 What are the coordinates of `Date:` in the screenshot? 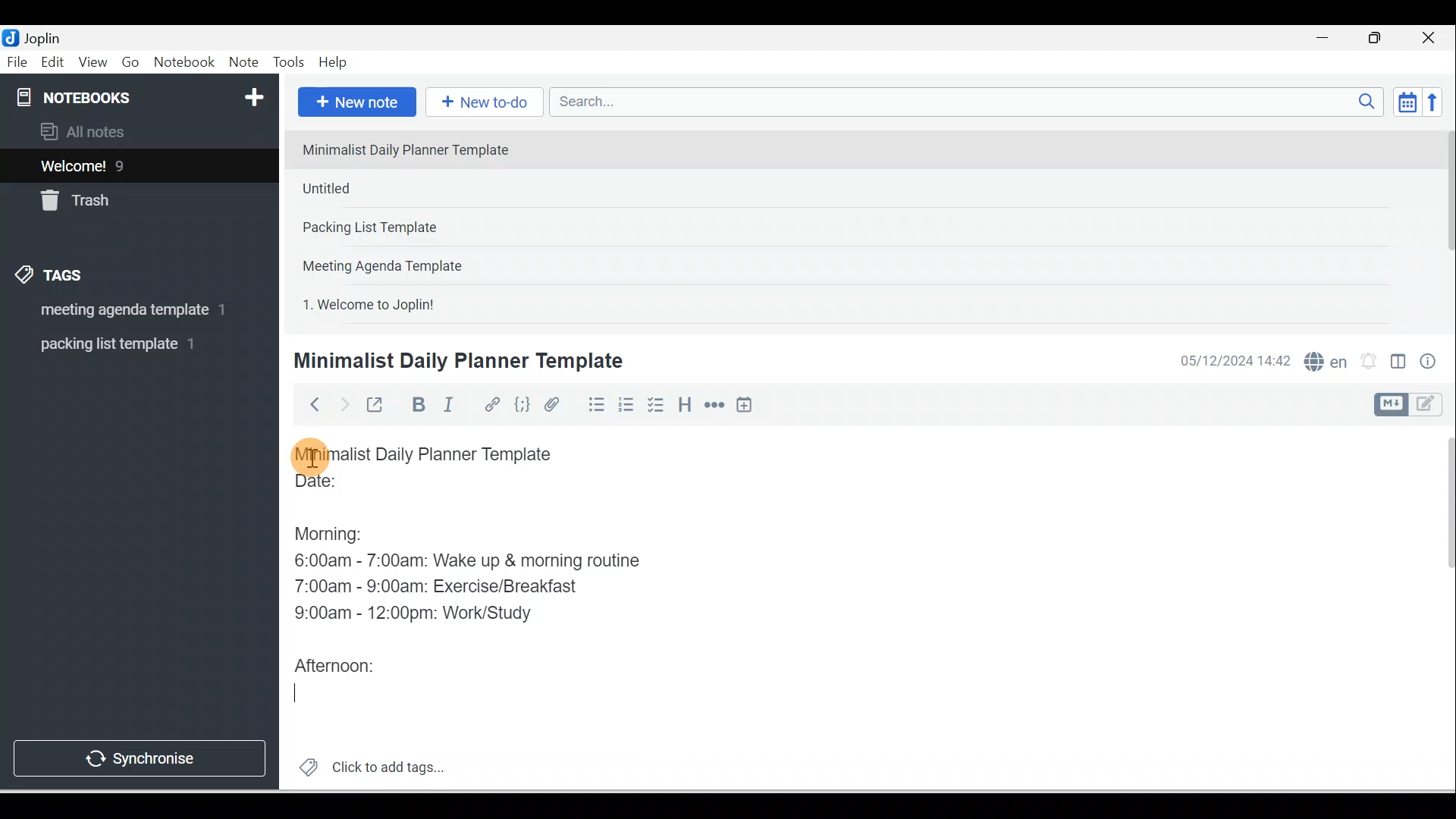 It's located at (359, 488).